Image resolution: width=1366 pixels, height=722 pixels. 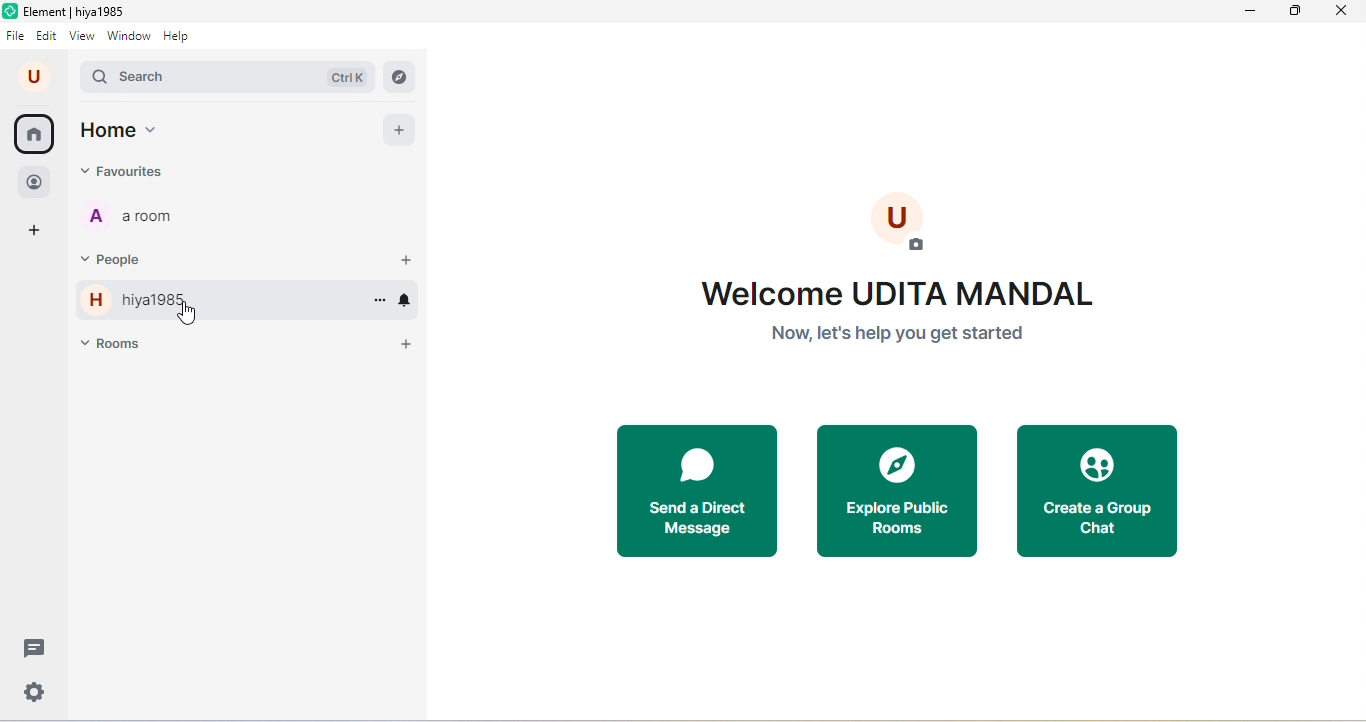 I want to click on view, so click(x=83, y=38).